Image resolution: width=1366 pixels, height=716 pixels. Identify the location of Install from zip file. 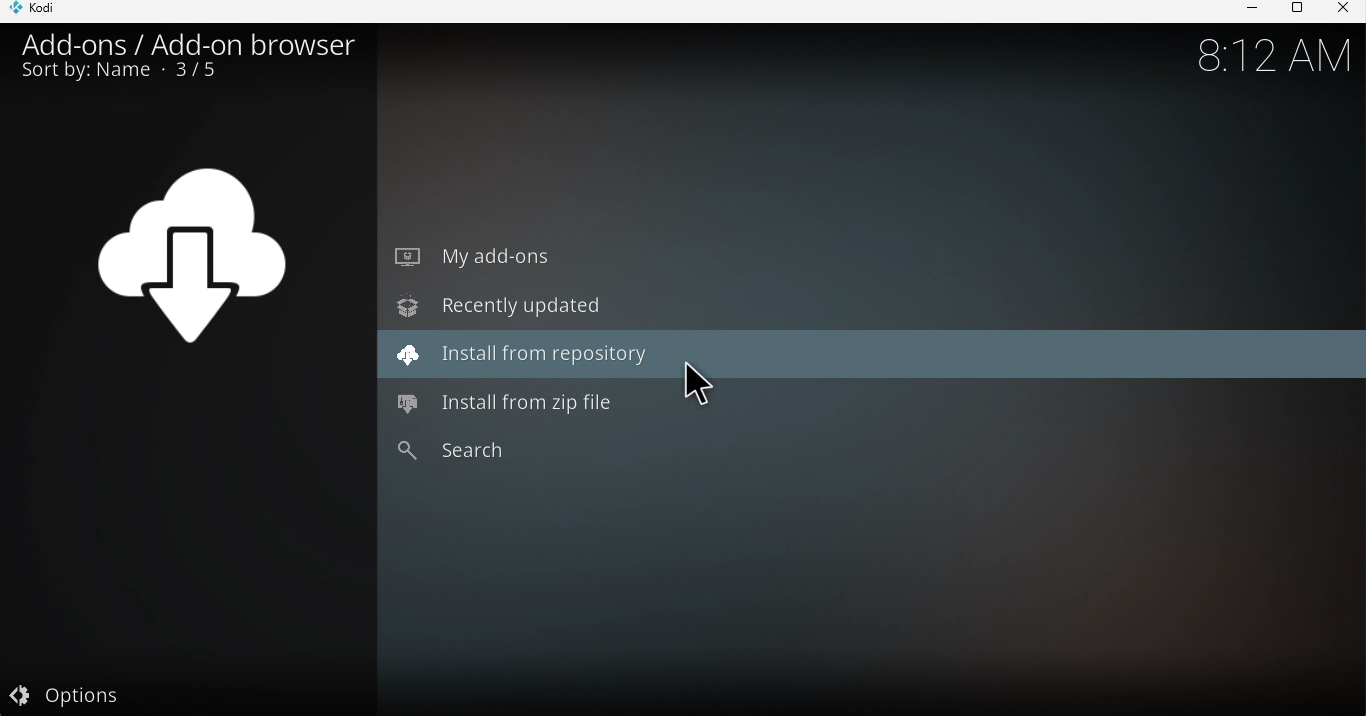
(873, 404).